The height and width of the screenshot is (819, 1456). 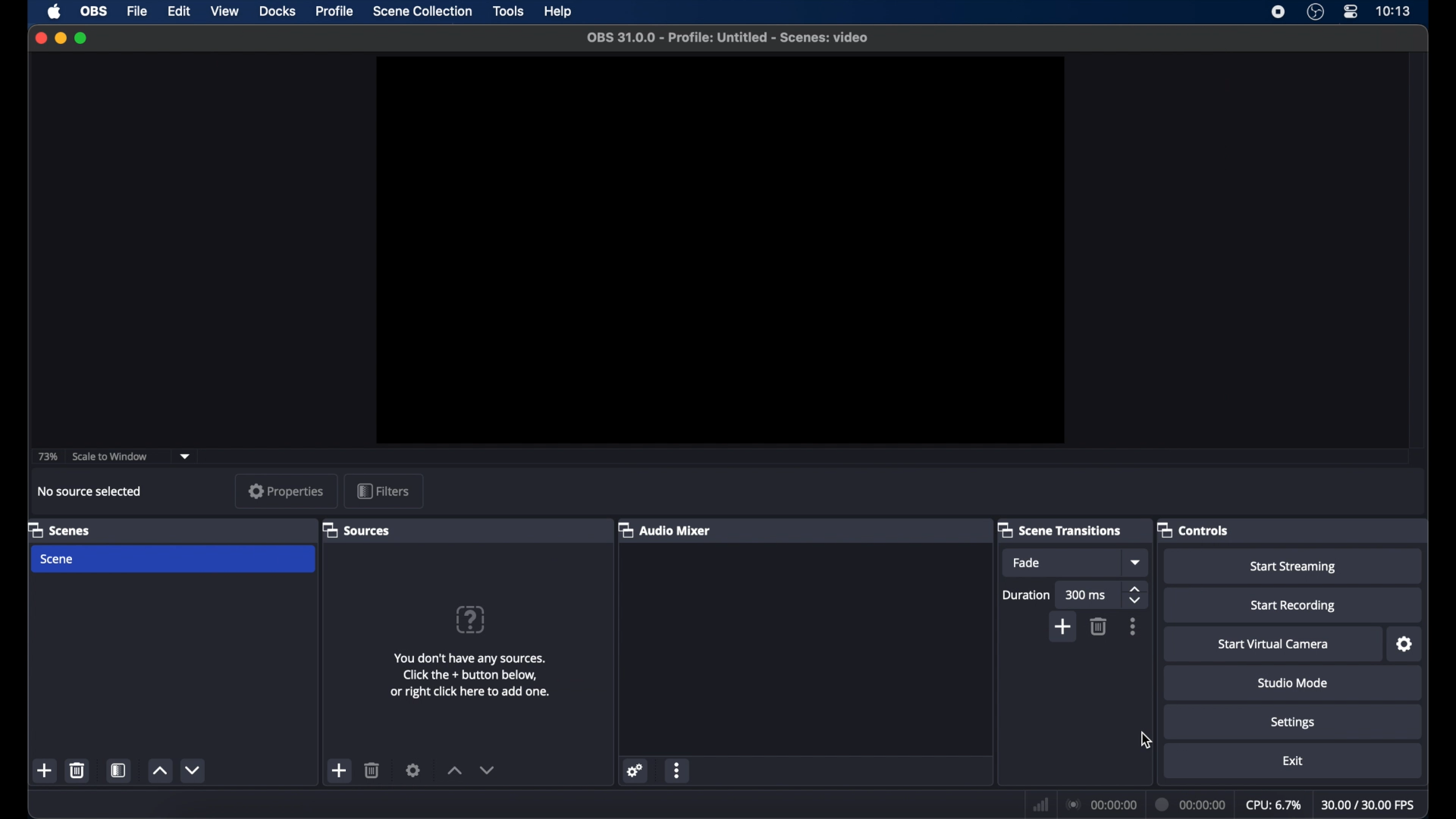 What do you see at coordinates (340, 770) in the screenshot?
I see `add` at bounding box center [340, 770].